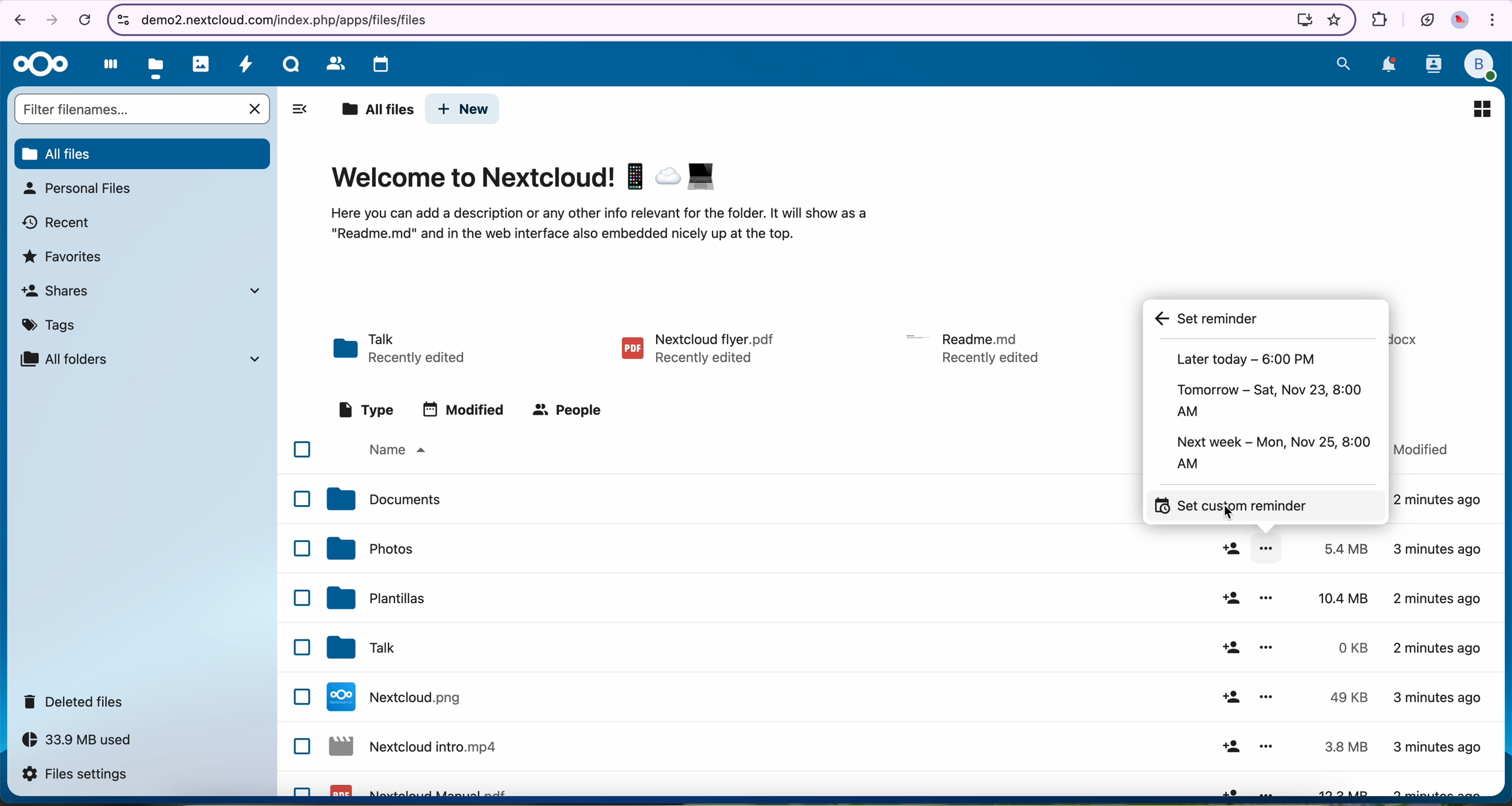 Image resolution: width=1512 pixels, height=806 pixels. Describe the element at coordinates (423, 788) in the screenshot. I see `Nextcloud pdf` at that location.